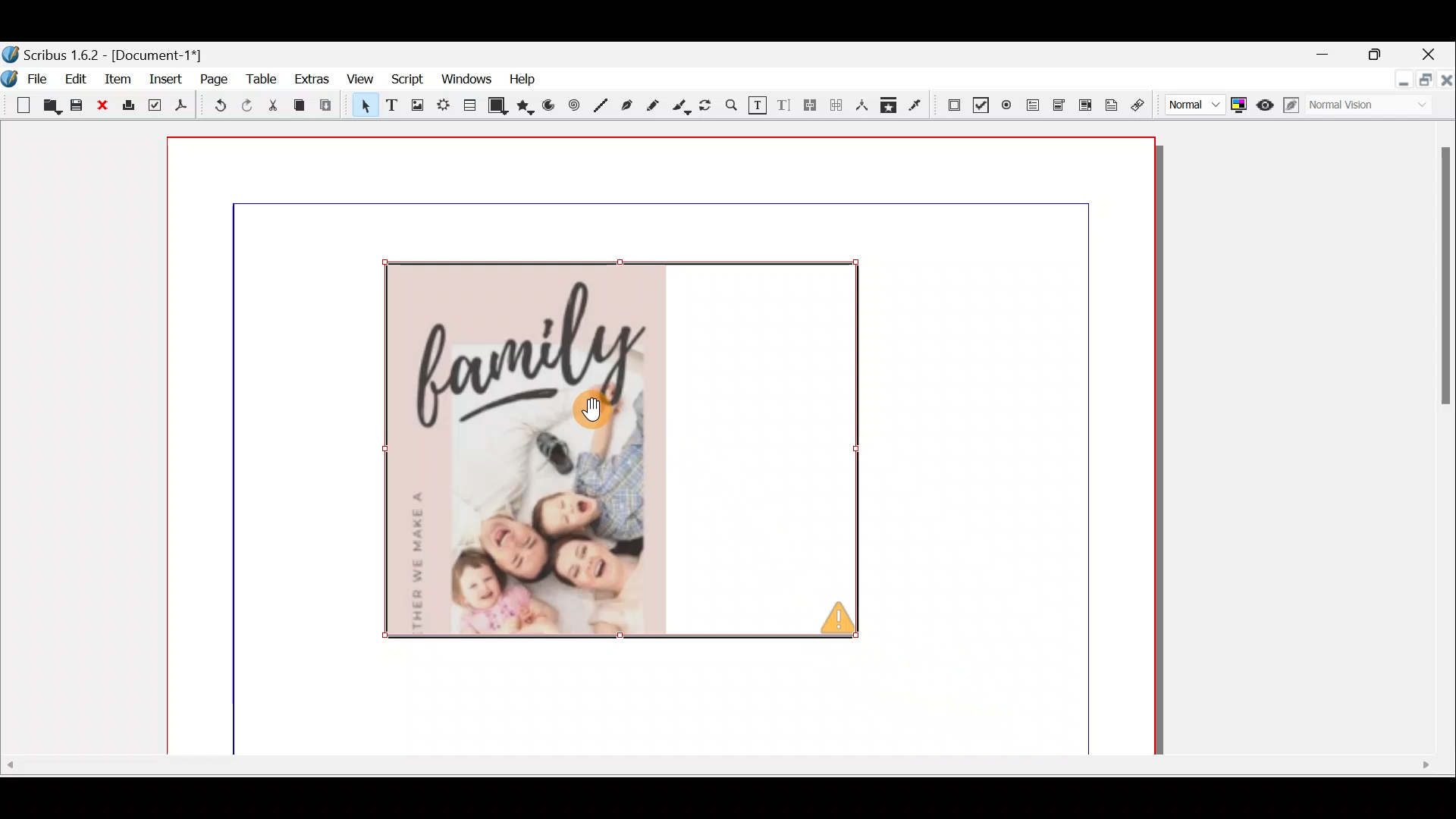 The height and width of the screenshot is (819, 1456). What do you see at coordinates (274, 106) in the screenshot?
I see `Cut` at bounding box center [274, 106].